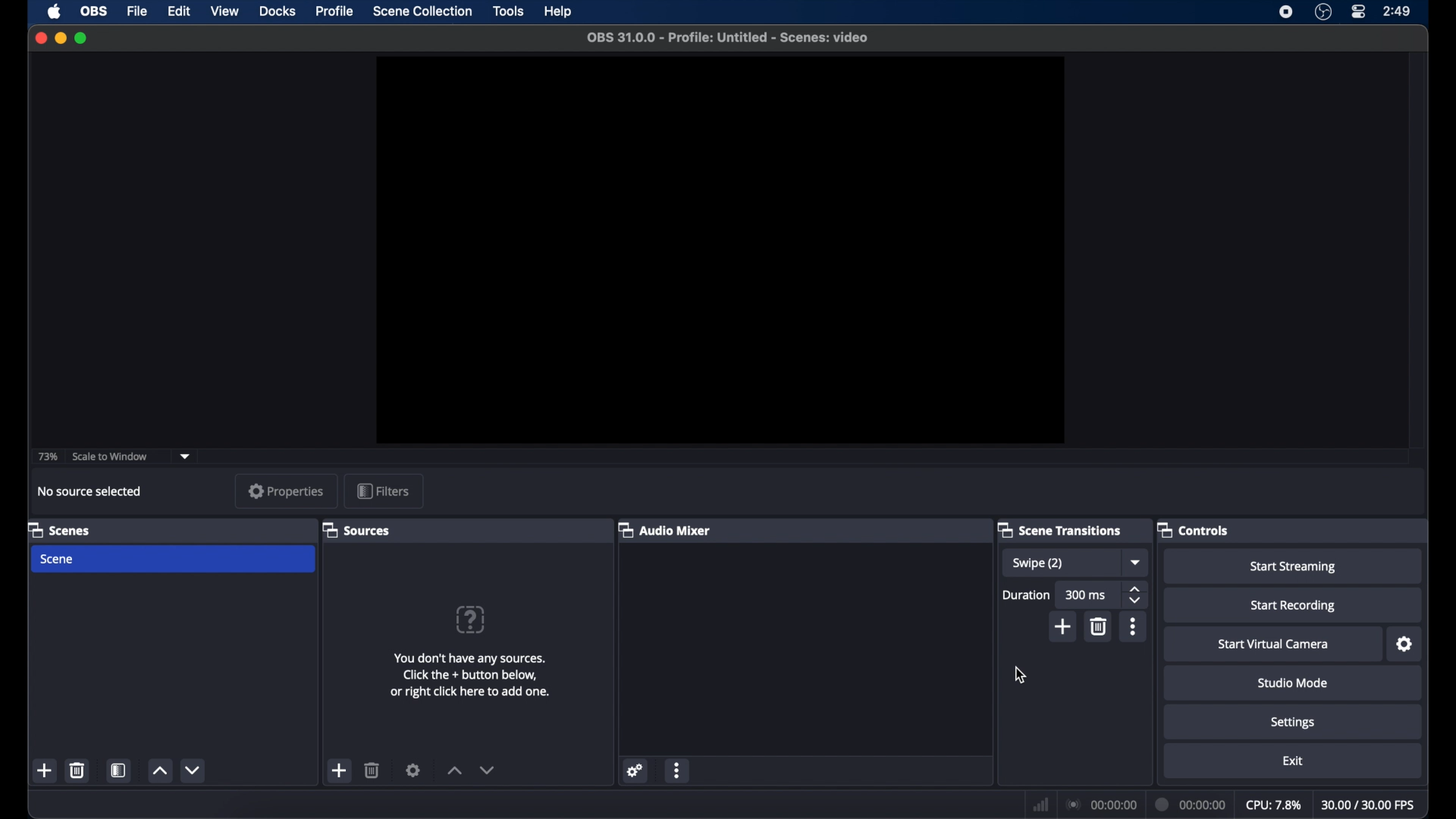 The image size is (1456, 819). What do you see at coordinates (1293, 761) in the screenshot?
I see `exit` at bounding box center [1293, 761].